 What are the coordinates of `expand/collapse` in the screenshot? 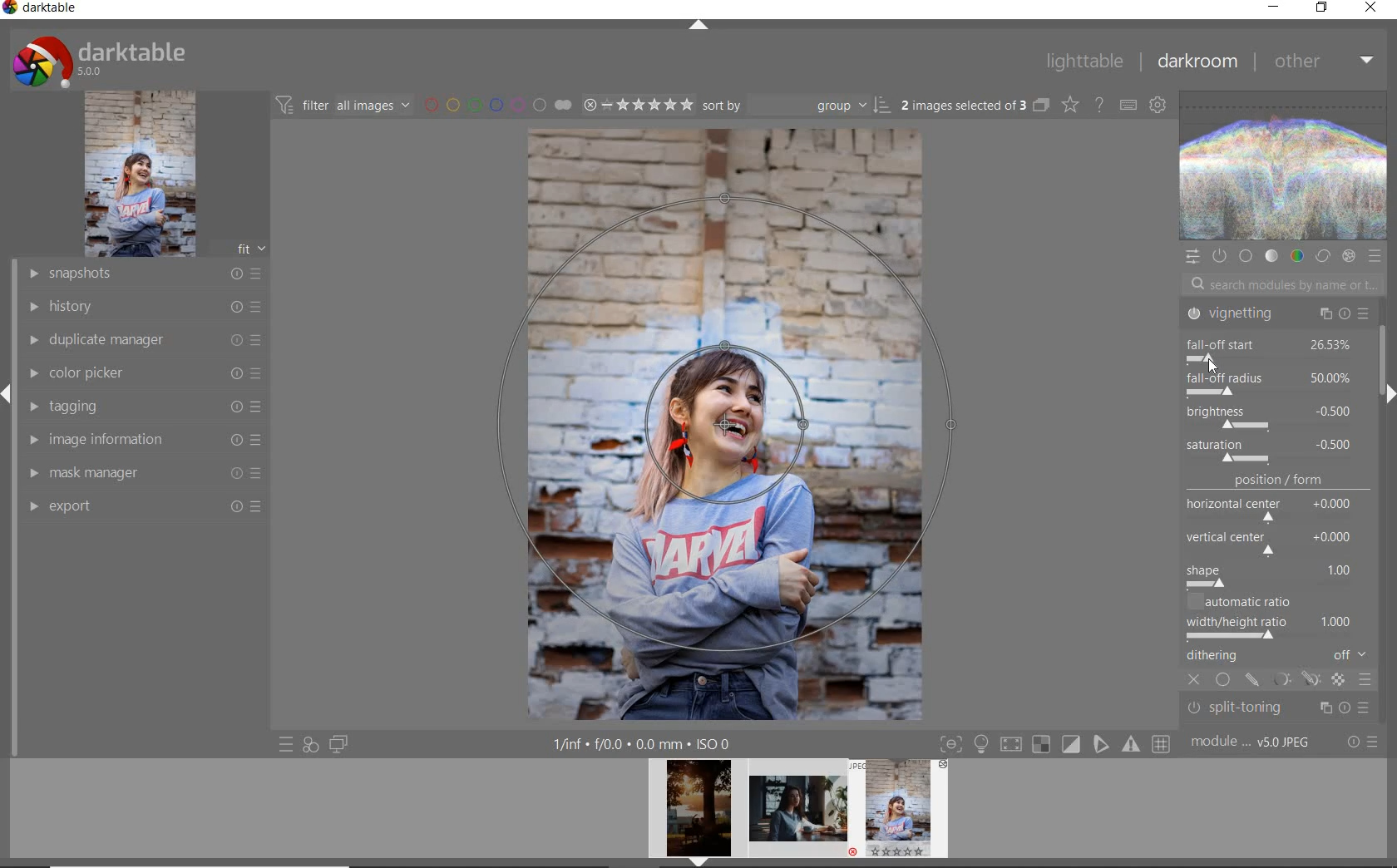 It's located at (698, 27).